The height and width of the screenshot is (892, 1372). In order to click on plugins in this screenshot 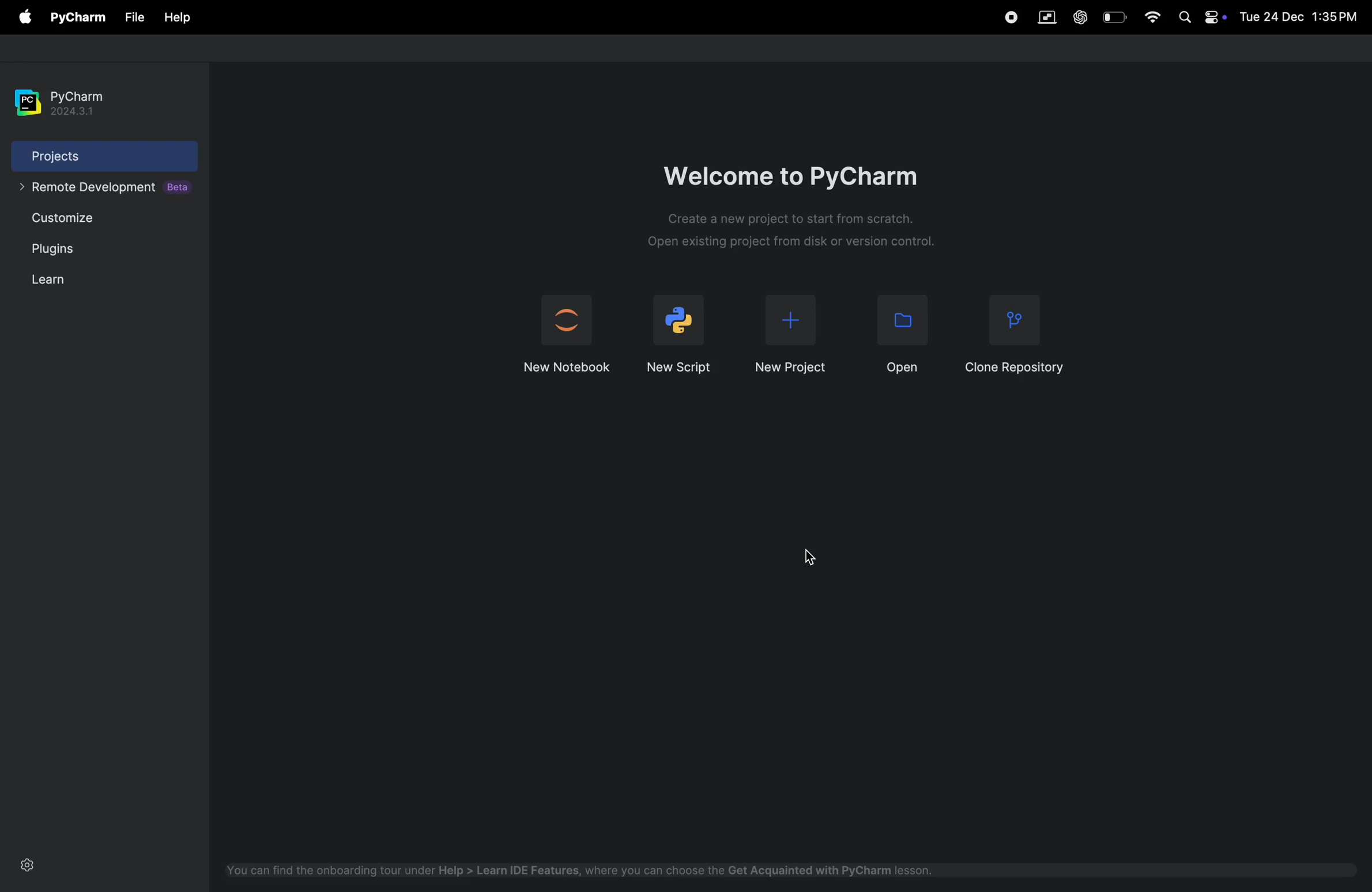, I will do `click(58, 250)`.